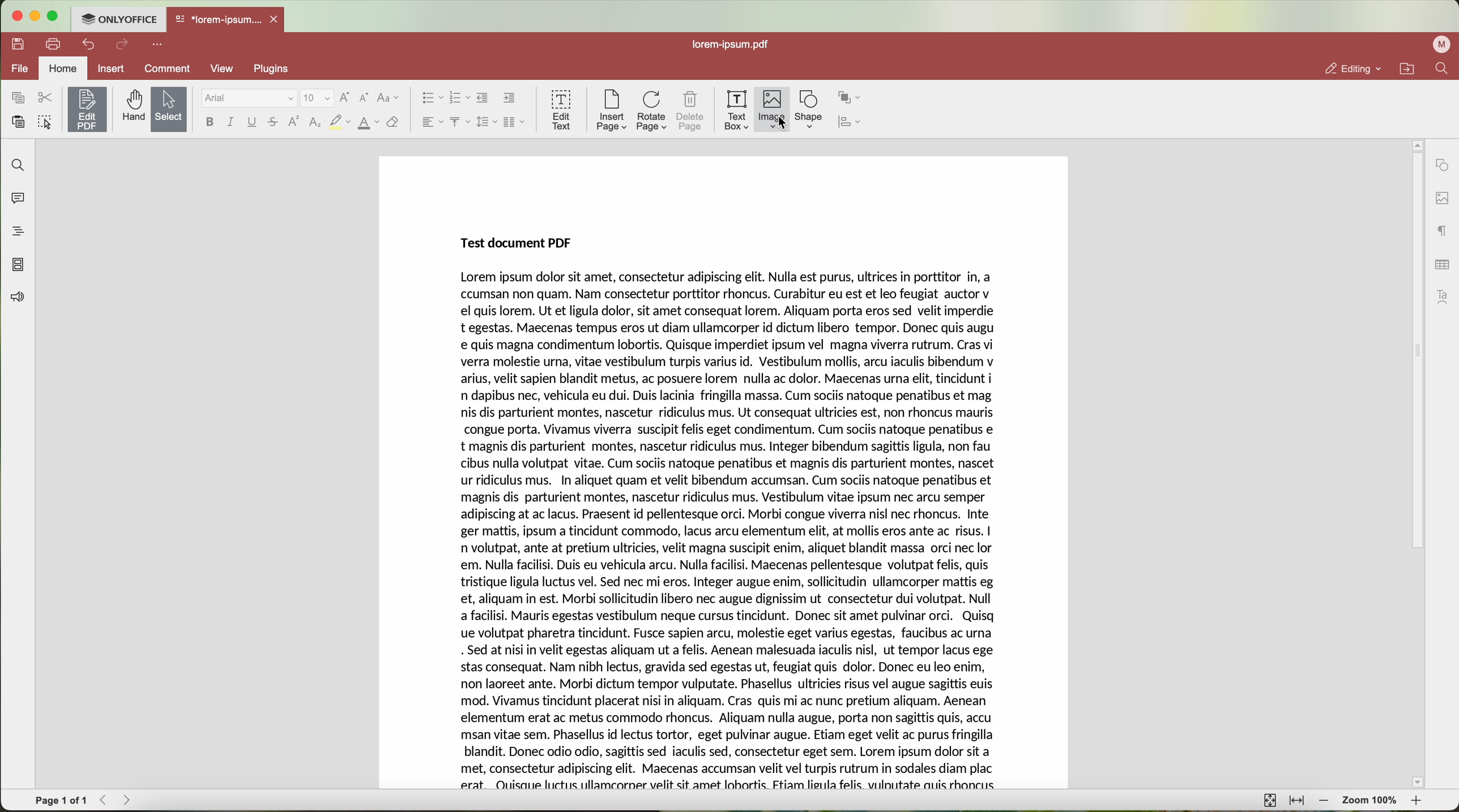 The height and width of the screenshot is (812, 1459). What do you see at coordinates (18, 122) in the screenshot?
I see `paste` at bounding box center [18, 122].